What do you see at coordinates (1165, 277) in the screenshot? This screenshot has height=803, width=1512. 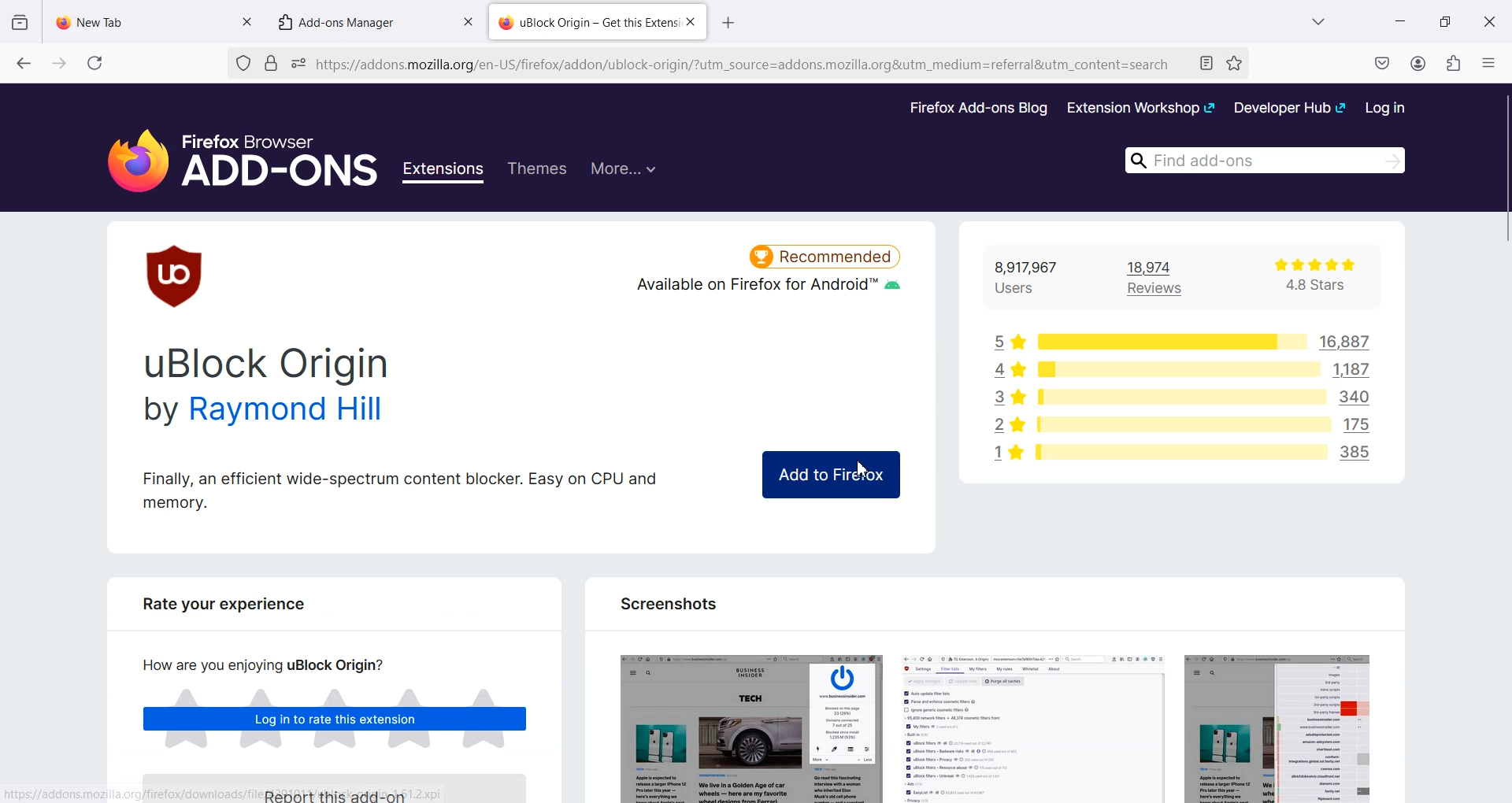 I see `18,974 Review` at bounding box center [1165, 277].